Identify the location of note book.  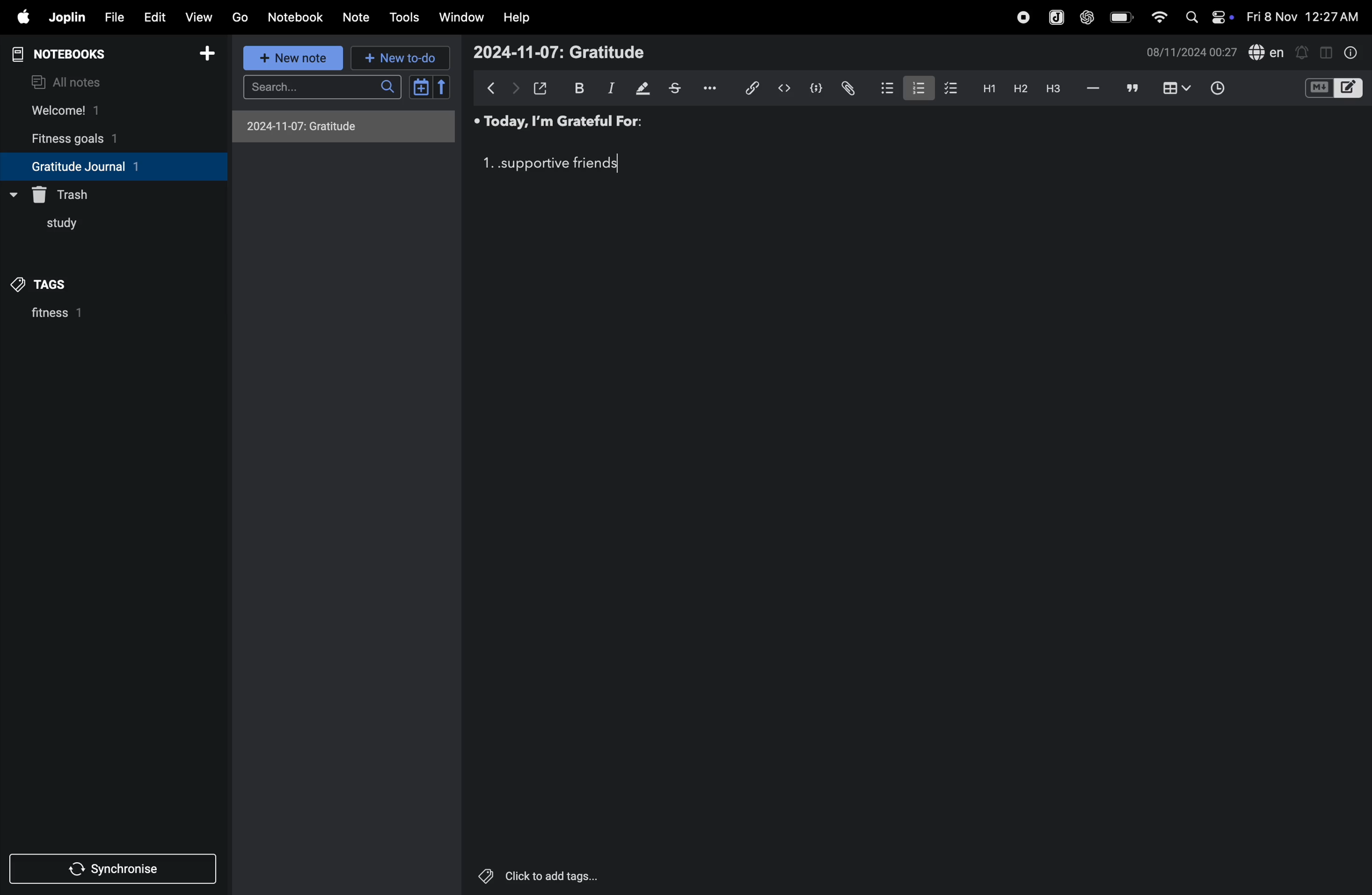
(80, 54).